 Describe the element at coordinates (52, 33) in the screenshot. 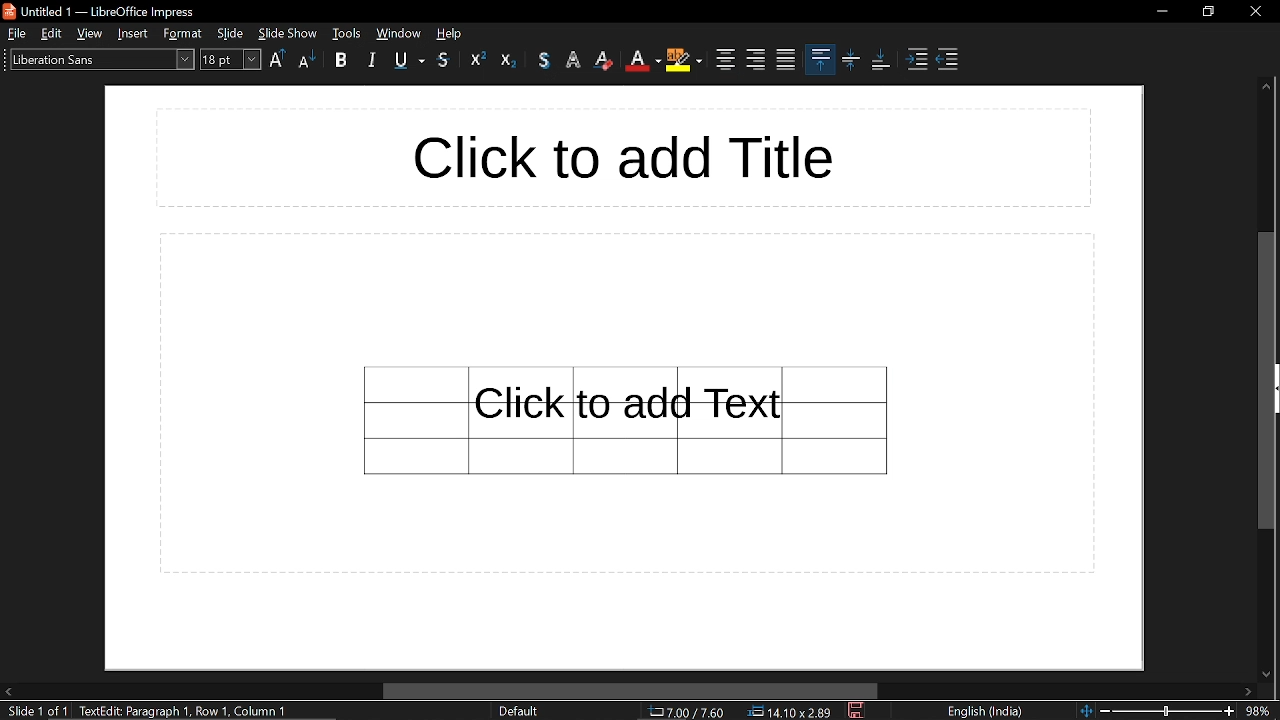

I see `edit` at that location.